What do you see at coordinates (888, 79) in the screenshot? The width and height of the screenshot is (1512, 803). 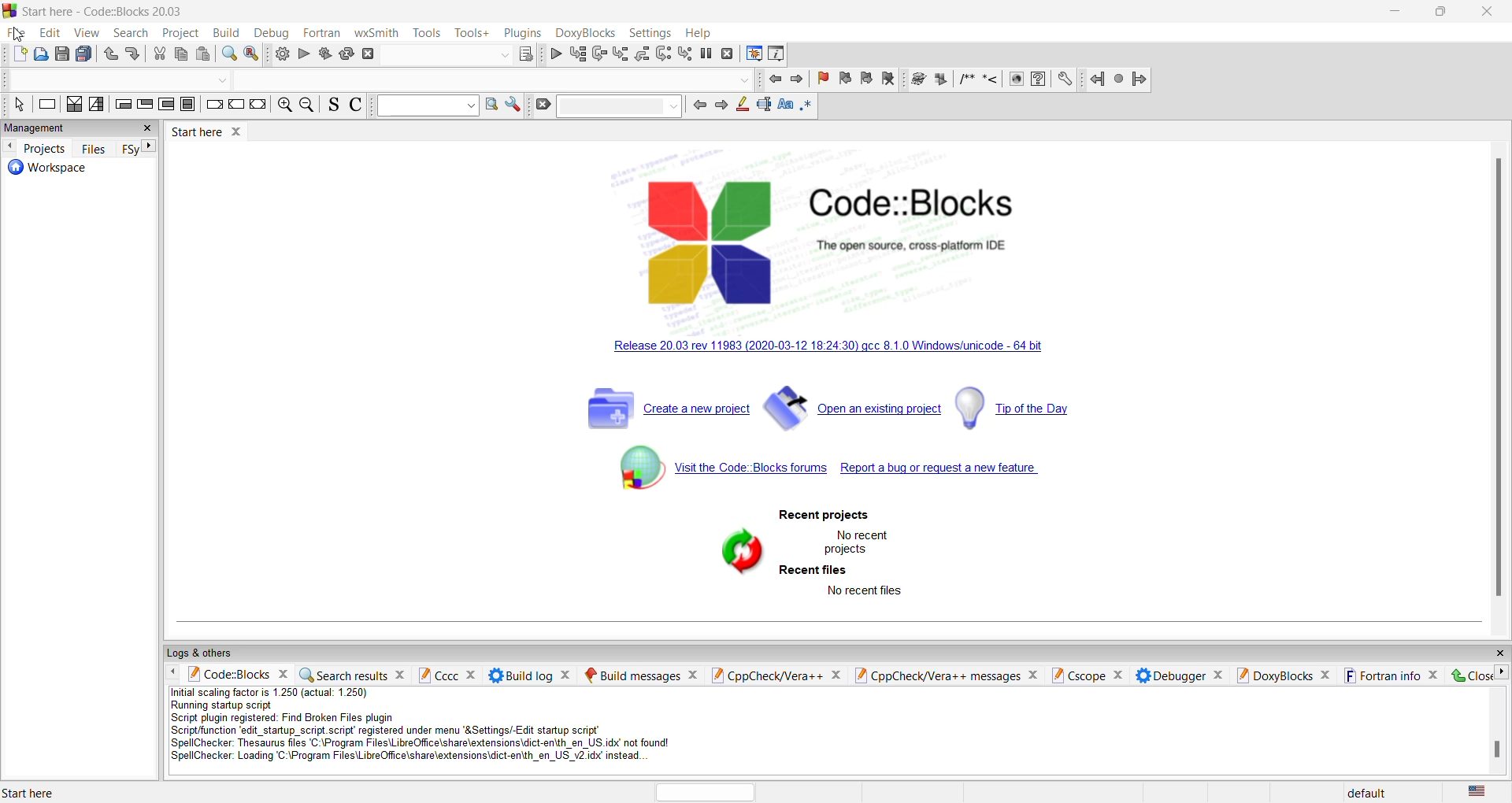 I see `clear bookmarks` at bounding box center [888, 79].